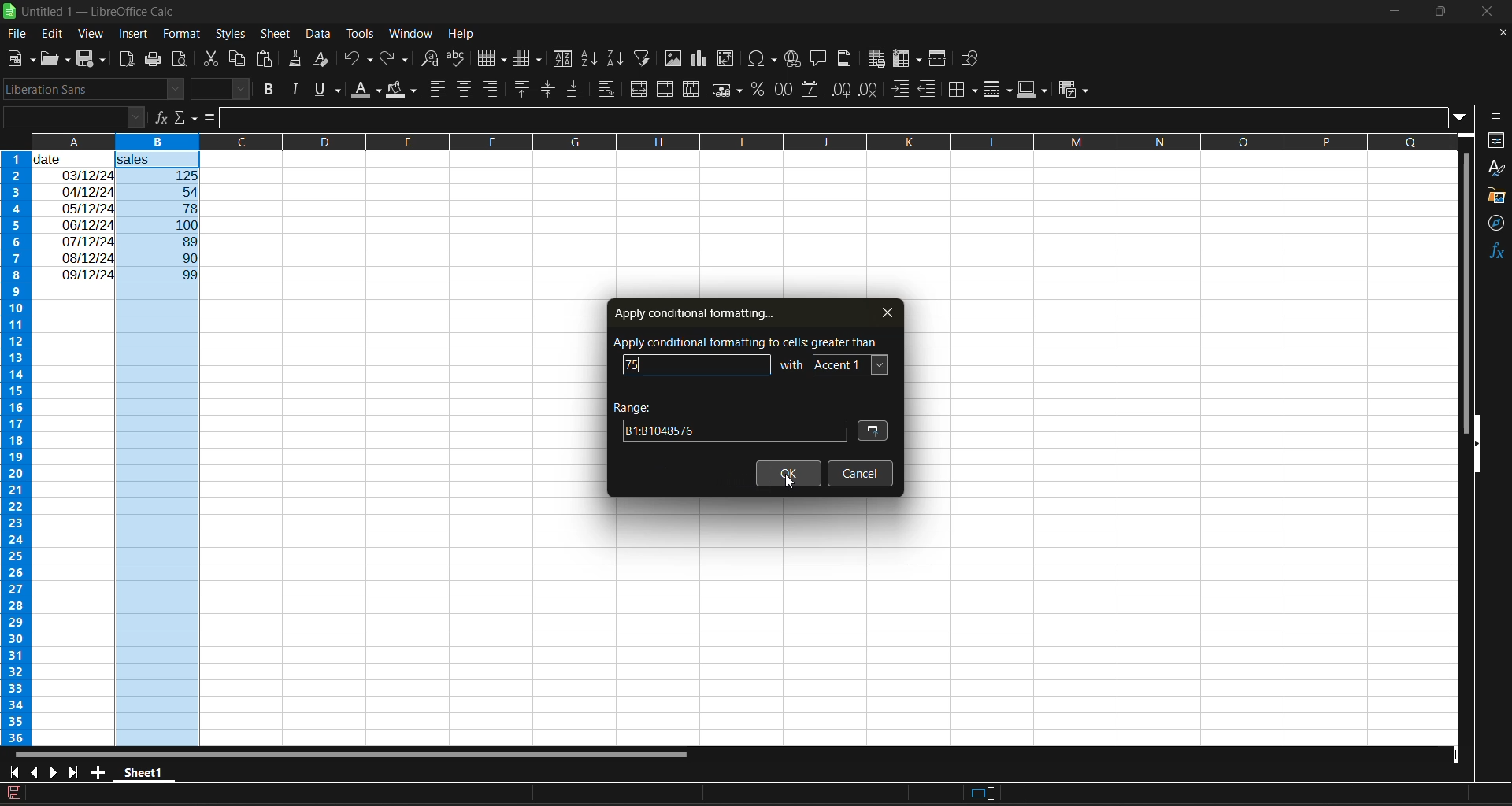  I want to click on file, so click(19, 33).